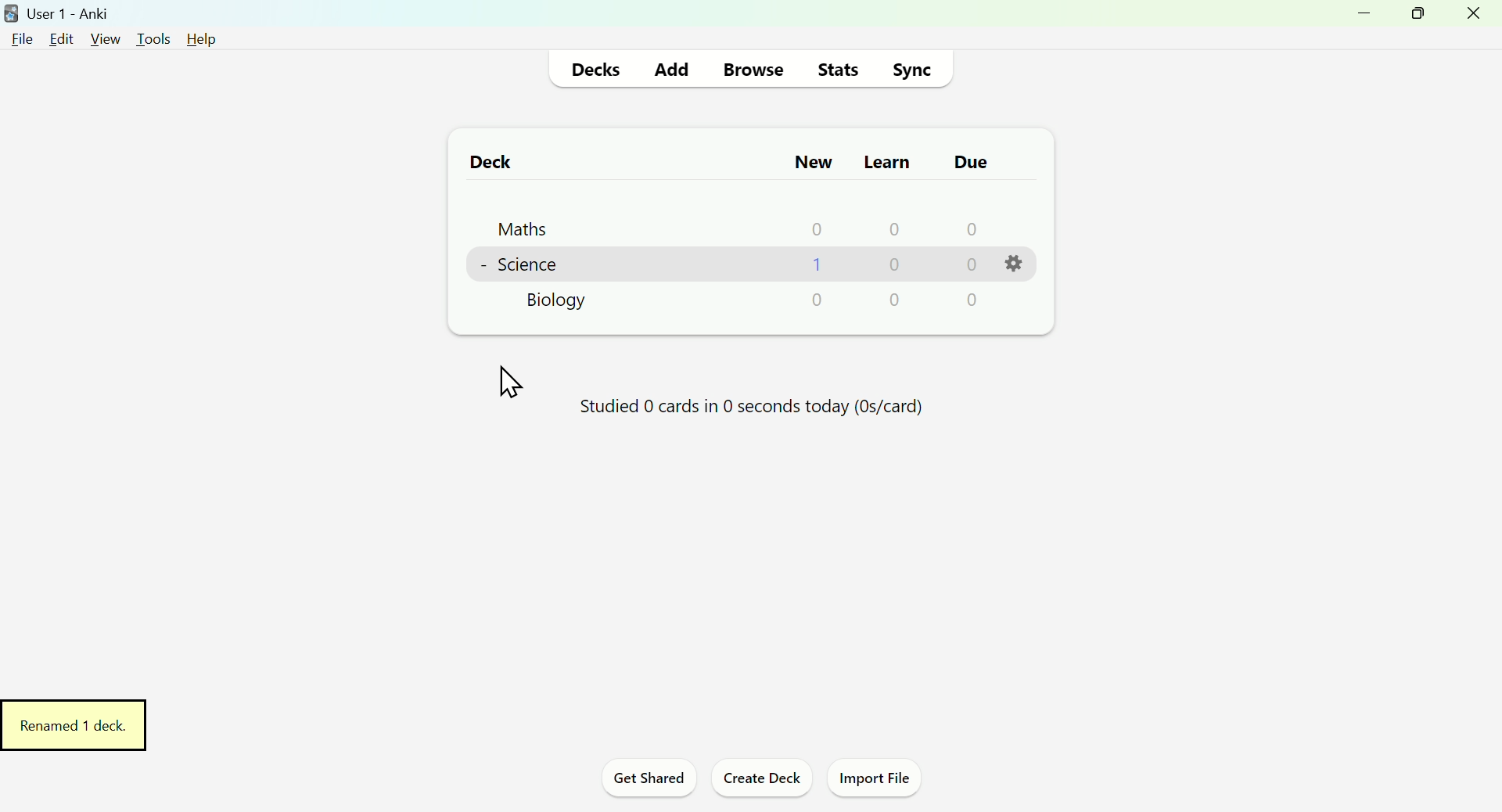  I want to click on Due, so click(966, 162).